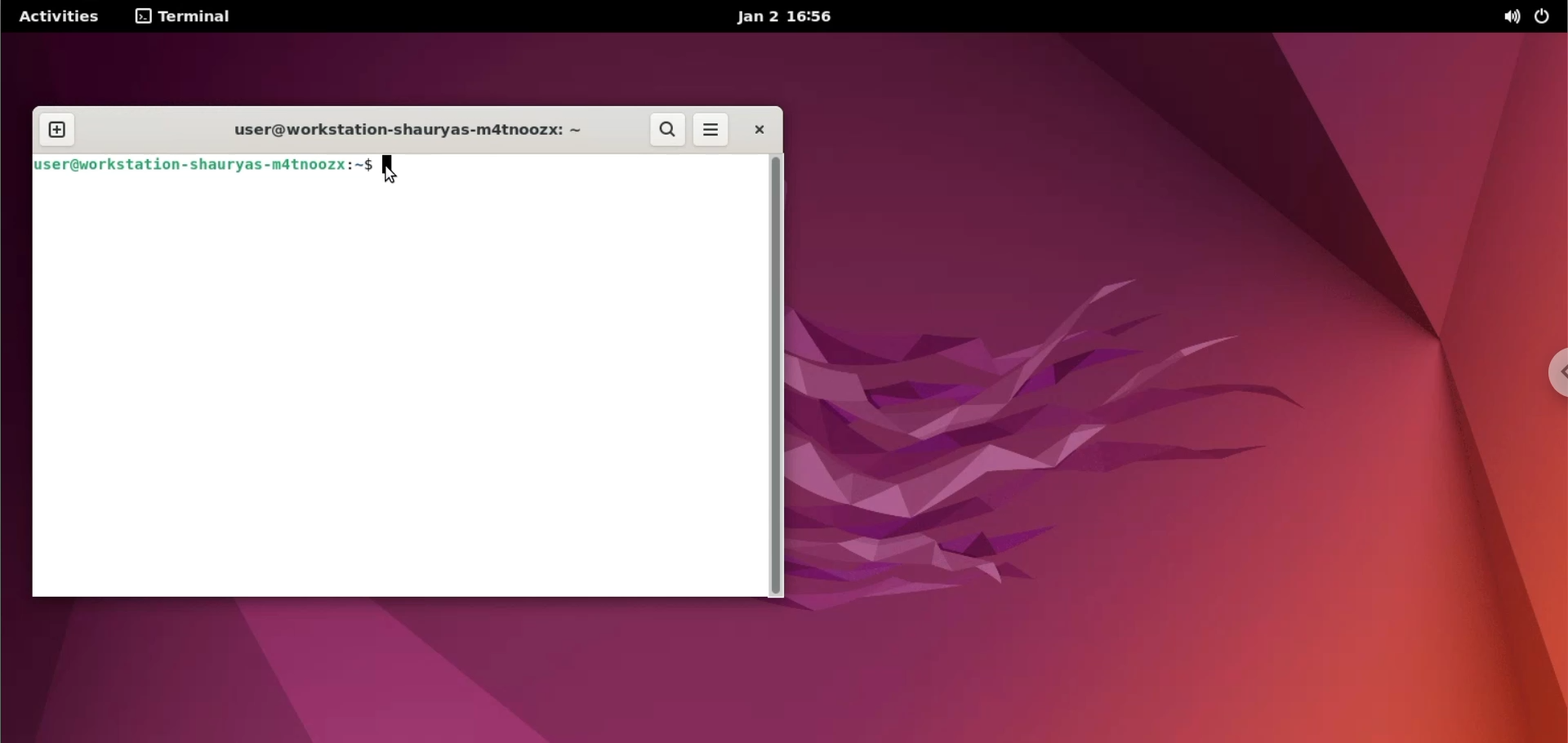 This screenshot has height=743, width=1568. What do you see at coordinates (1550, 380) in the screenshot?
I see `chrome options` at bounding box center [1550, 380].